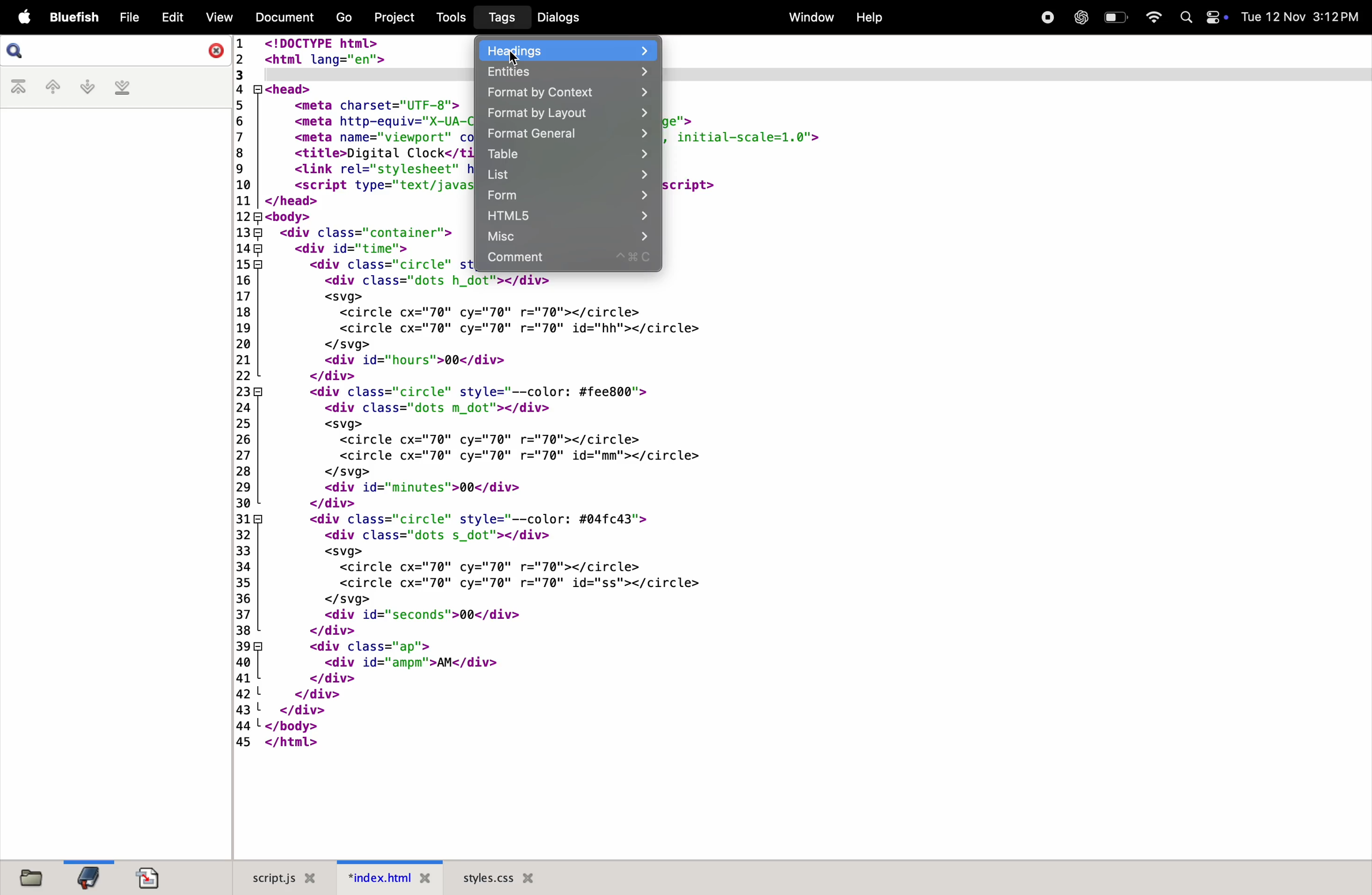 This screenshot has width=1372, height=895. Describe the element at coordinates (353, 156) in the screenshot. I see `code using html, css, javascript to build a digital clock. The code contains <head> that has a <title> <link> and <script type>. <Body> contains different <id> and <class>` at that location.